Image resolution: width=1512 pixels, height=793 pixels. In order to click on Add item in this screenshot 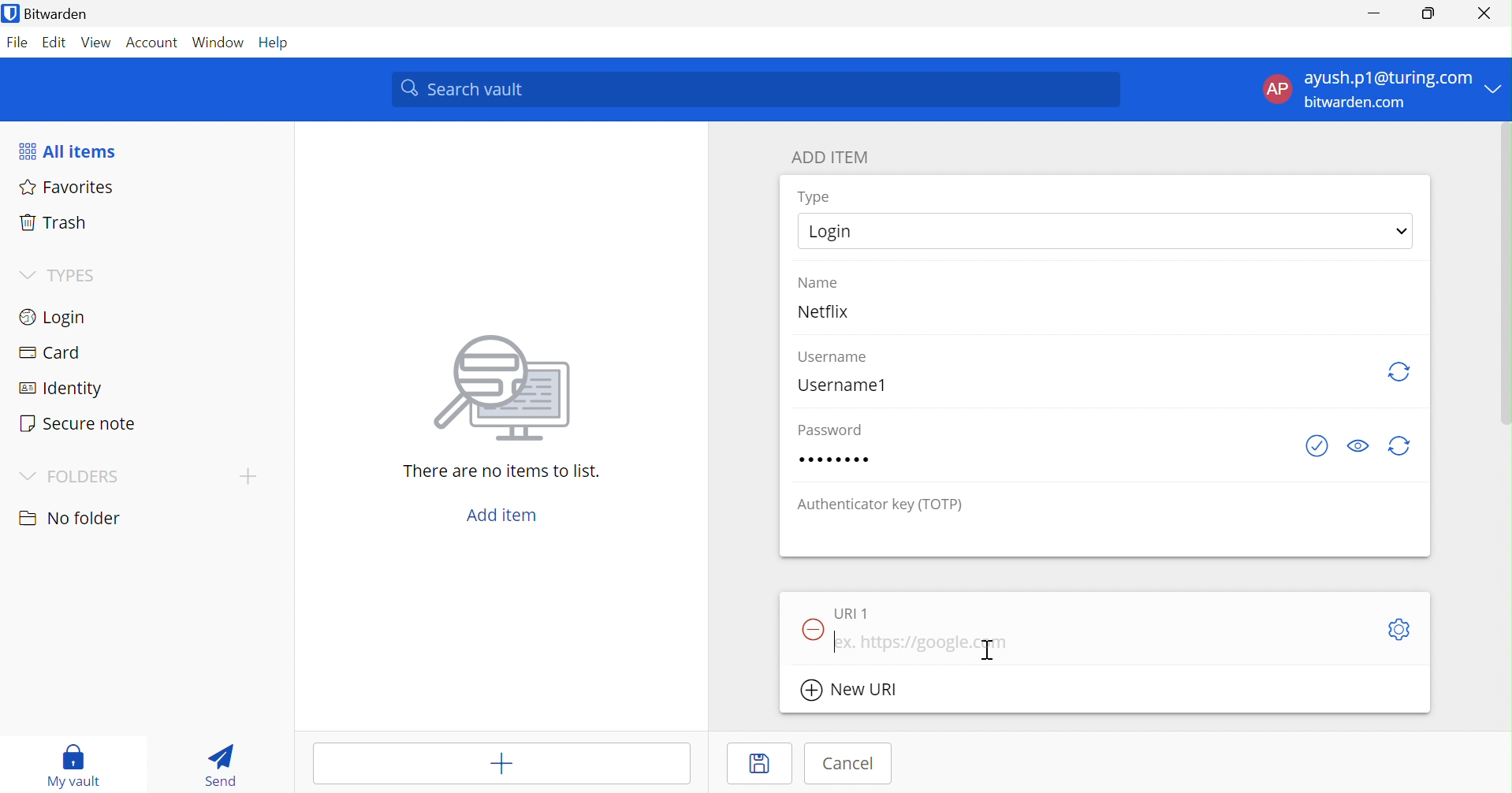, I will do `click(505, 515)`.